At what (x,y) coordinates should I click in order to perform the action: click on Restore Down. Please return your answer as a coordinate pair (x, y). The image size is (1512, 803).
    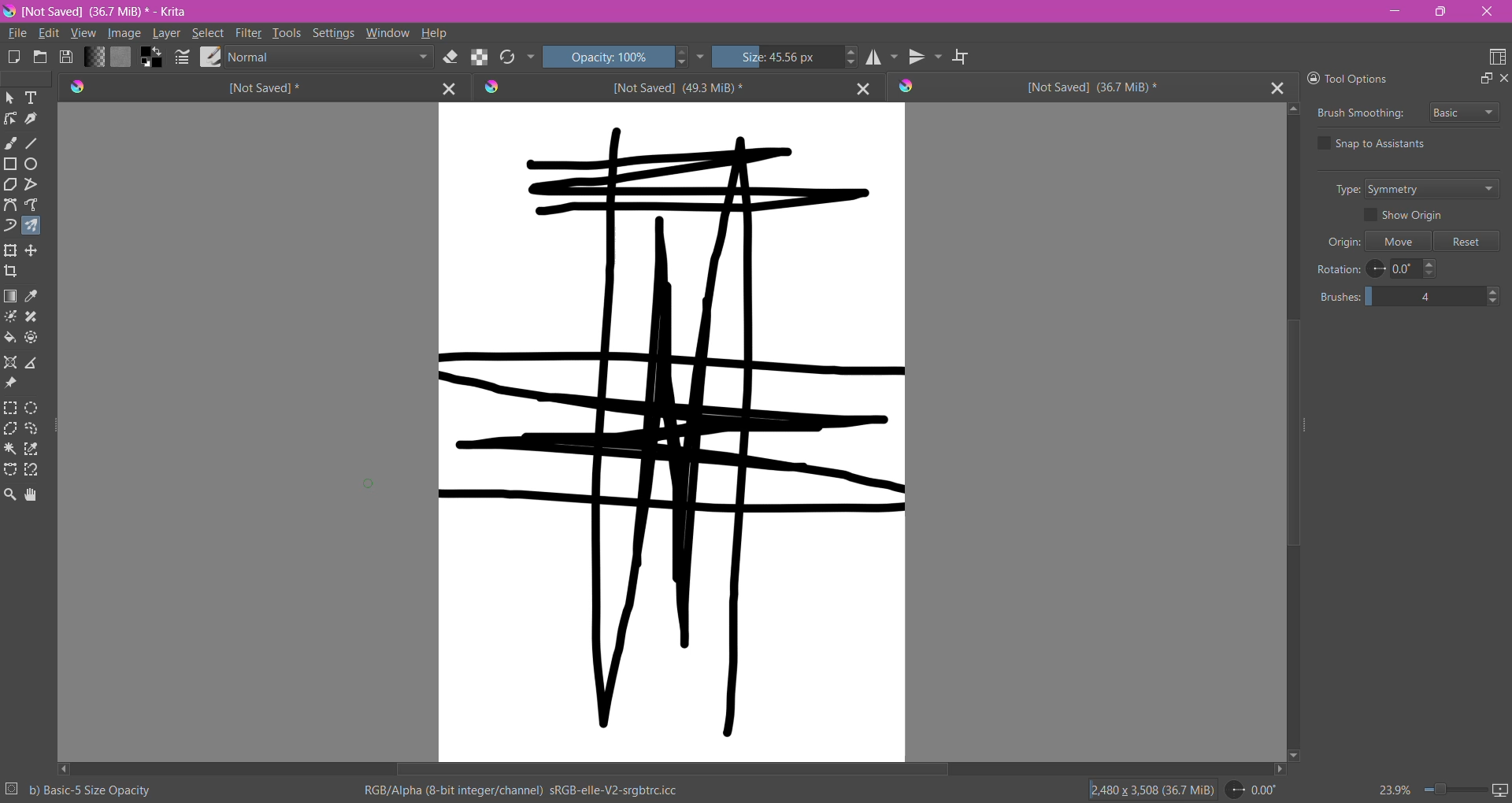
    Looking at the image, I should click on (1443, 12).